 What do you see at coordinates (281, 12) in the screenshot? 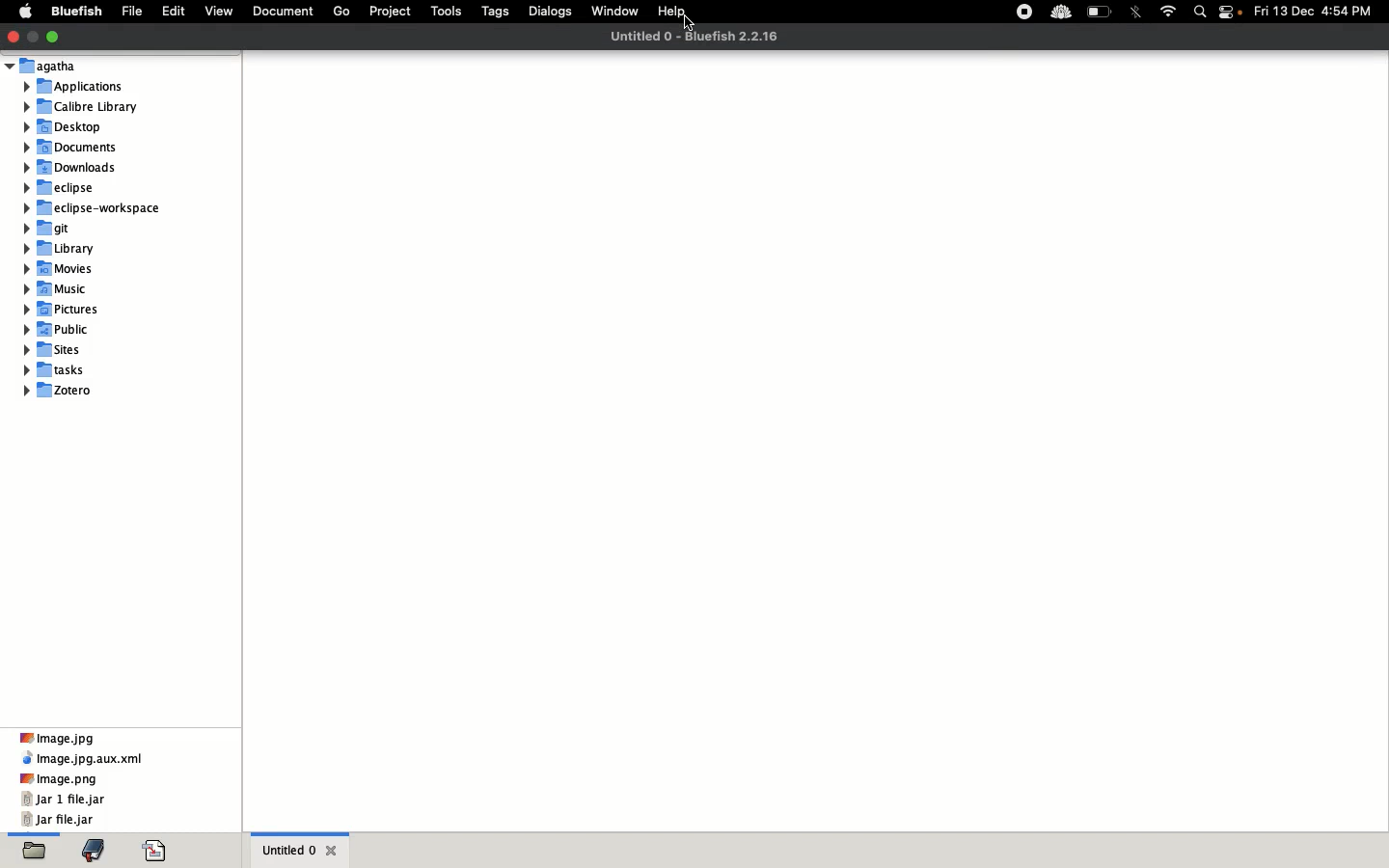
I see `Document` at bounding box center [281, 12].